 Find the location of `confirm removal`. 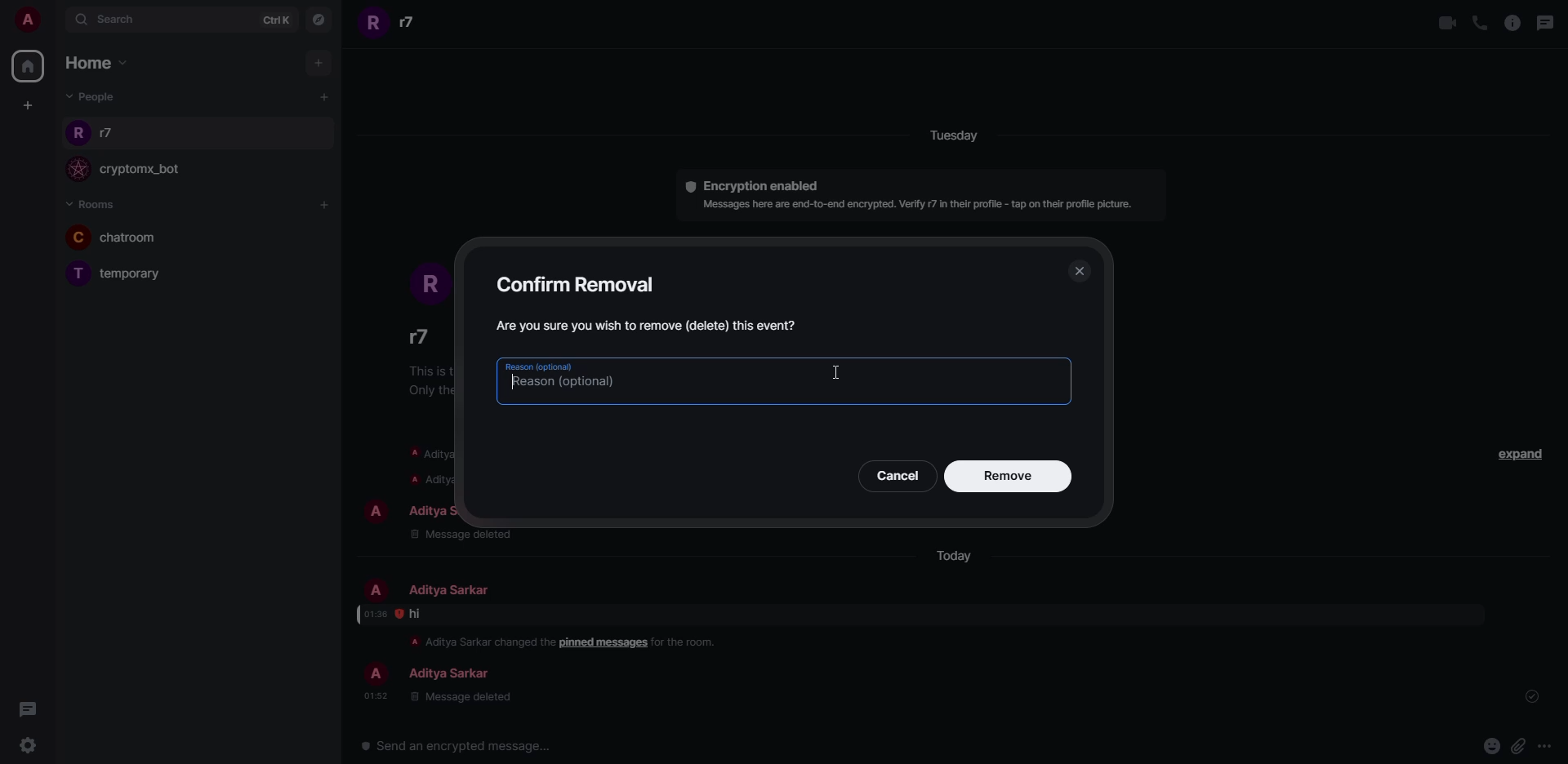

confirm removal is located at coordinates (581, 282).